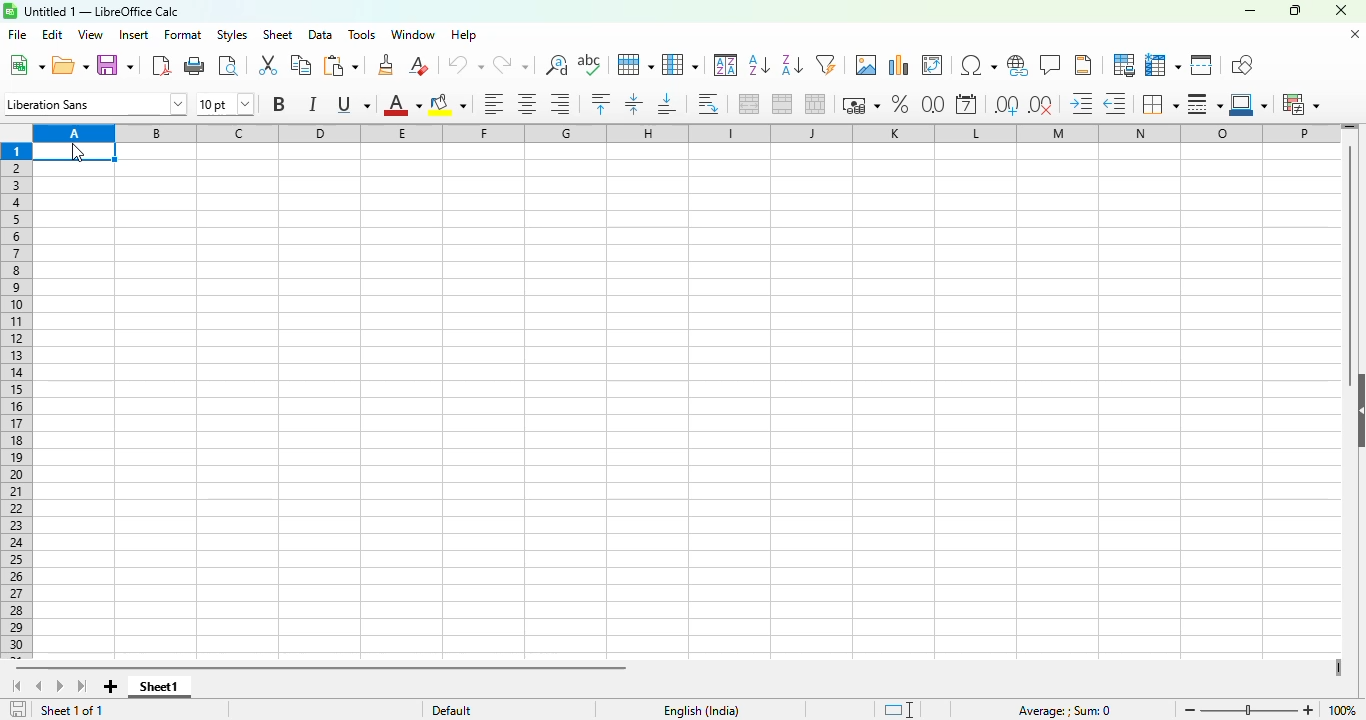 The image size is (1366, 720). Describe the element at coordinates (16, 401) in the screenshot. I see `rows` at that location.